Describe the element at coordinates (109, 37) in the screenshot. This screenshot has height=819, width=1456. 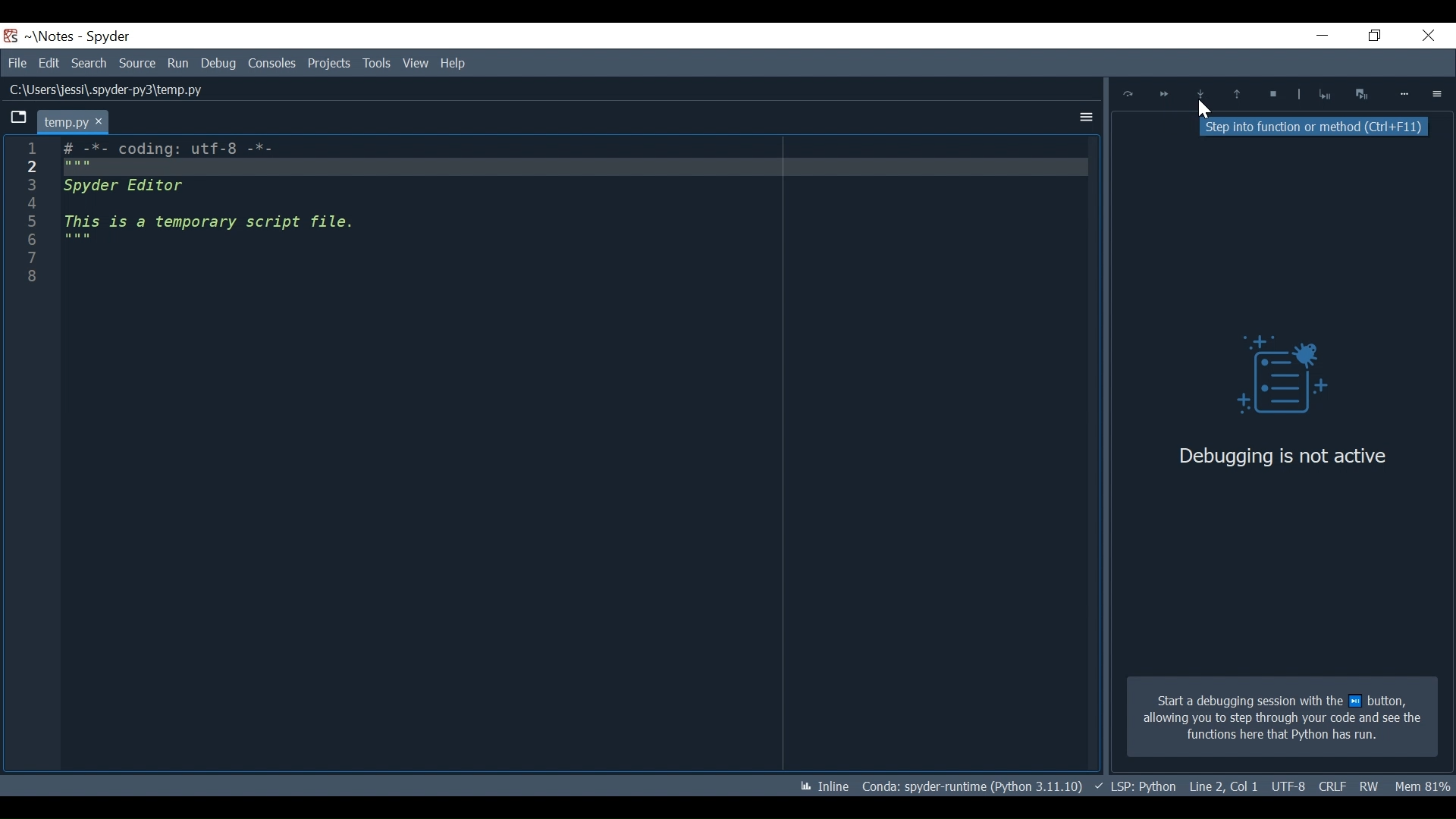
I see `Spyder ` at that location.